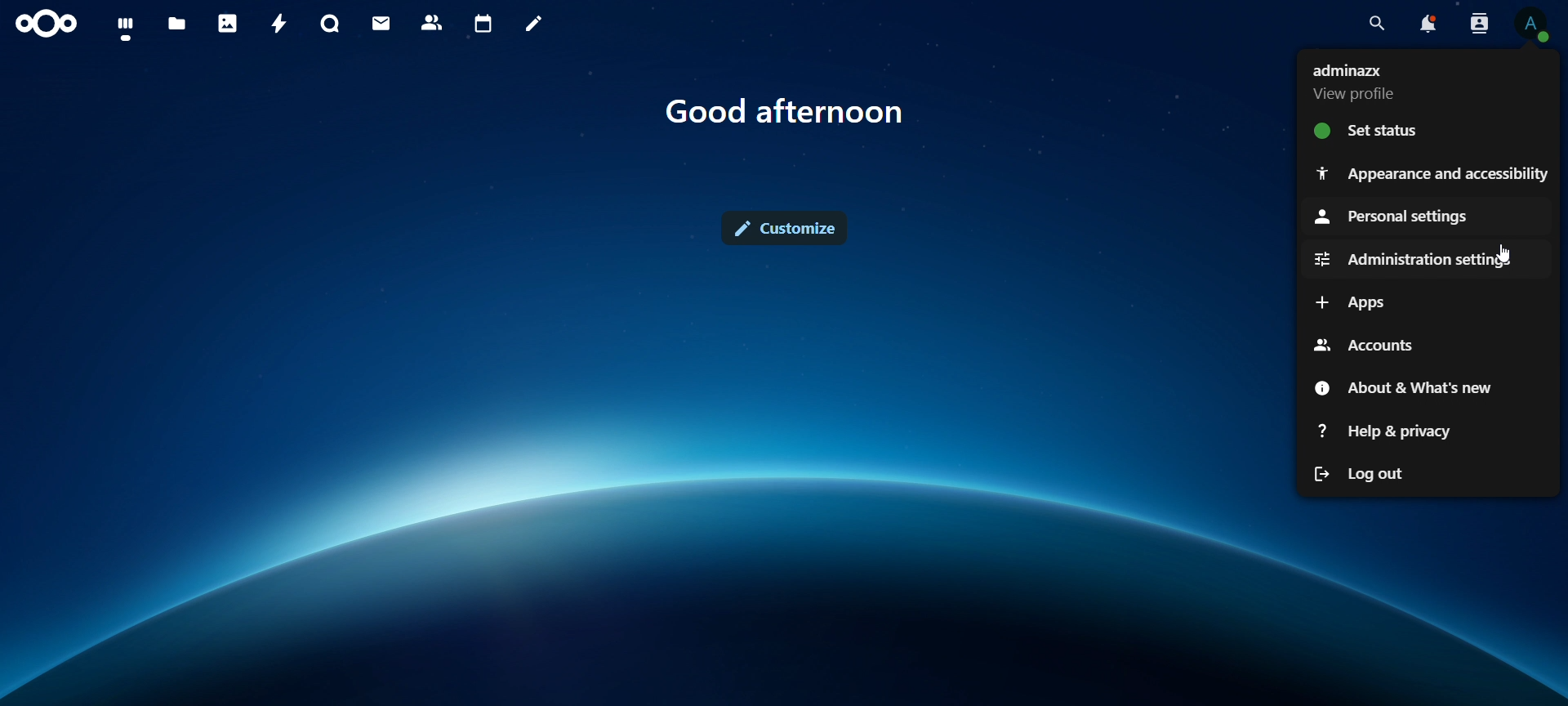  Describe the element at coordinates (280, 25) in the screenshot. I see `activity` at that location.